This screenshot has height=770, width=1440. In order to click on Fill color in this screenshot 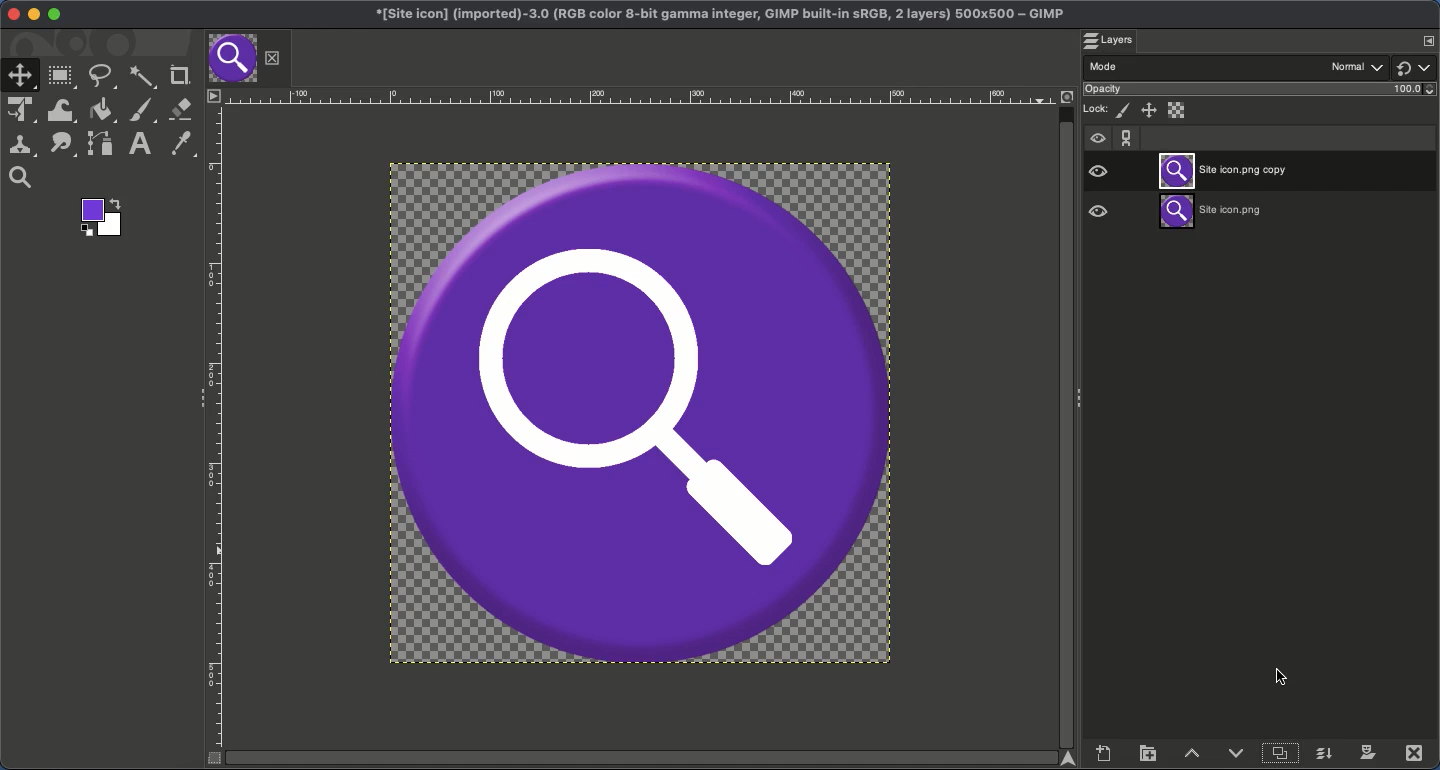, I will do `click(99, 111)`.